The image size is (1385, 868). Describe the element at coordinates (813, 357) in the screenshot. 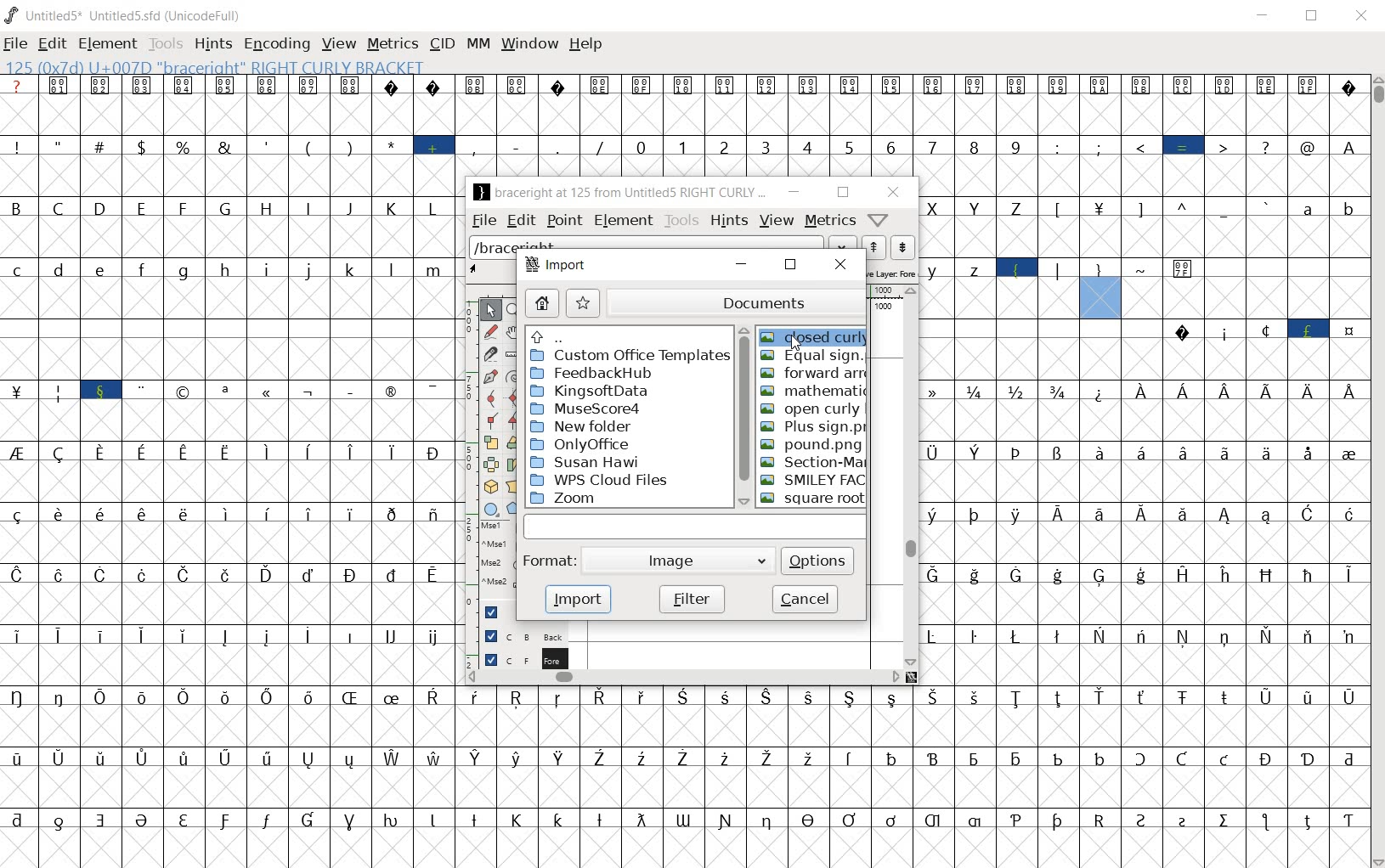

I see `equal sign` at that location.